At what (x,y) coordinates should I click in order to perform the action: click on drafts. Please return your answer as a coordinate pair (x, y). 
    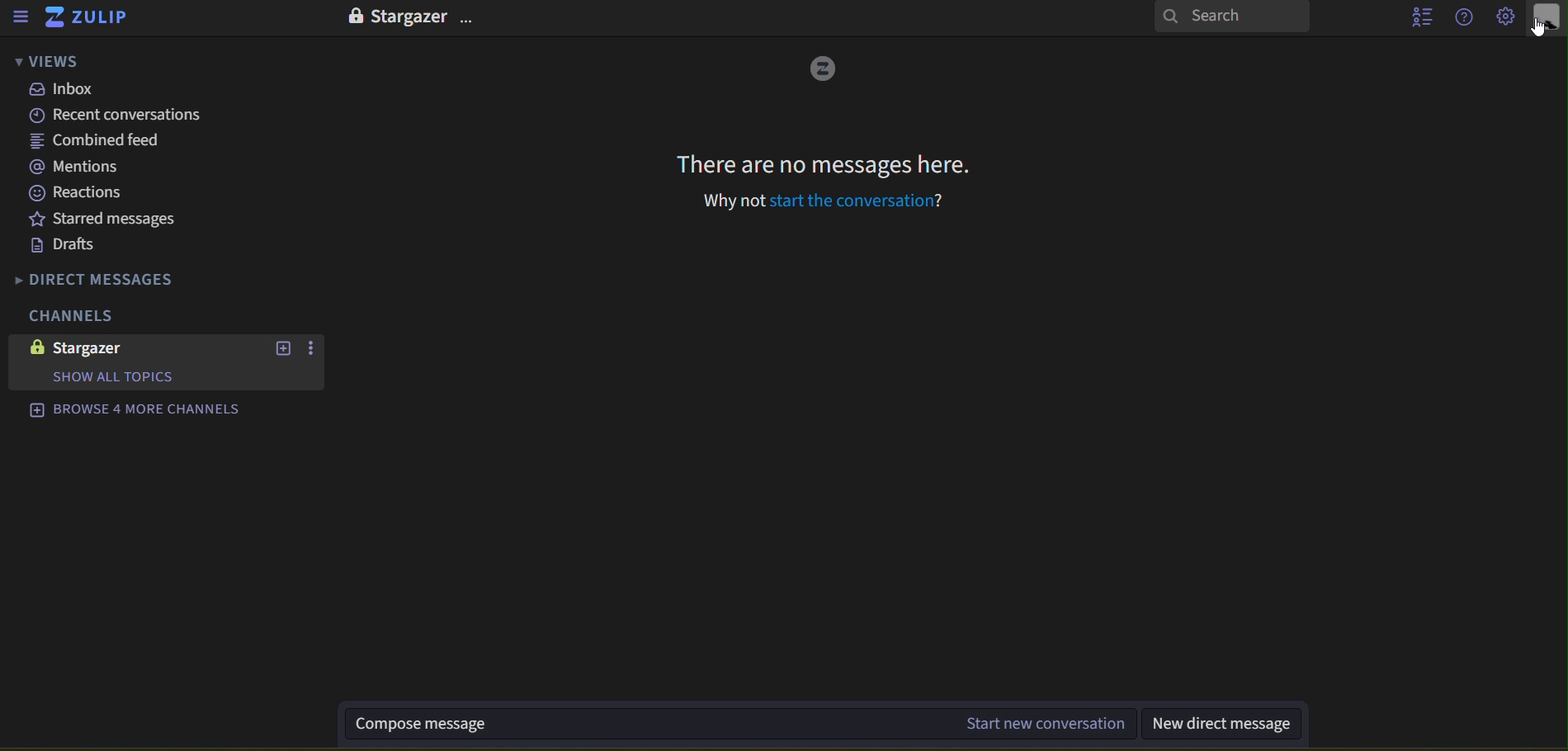
    Looking at the image, I should click on (68, 245).